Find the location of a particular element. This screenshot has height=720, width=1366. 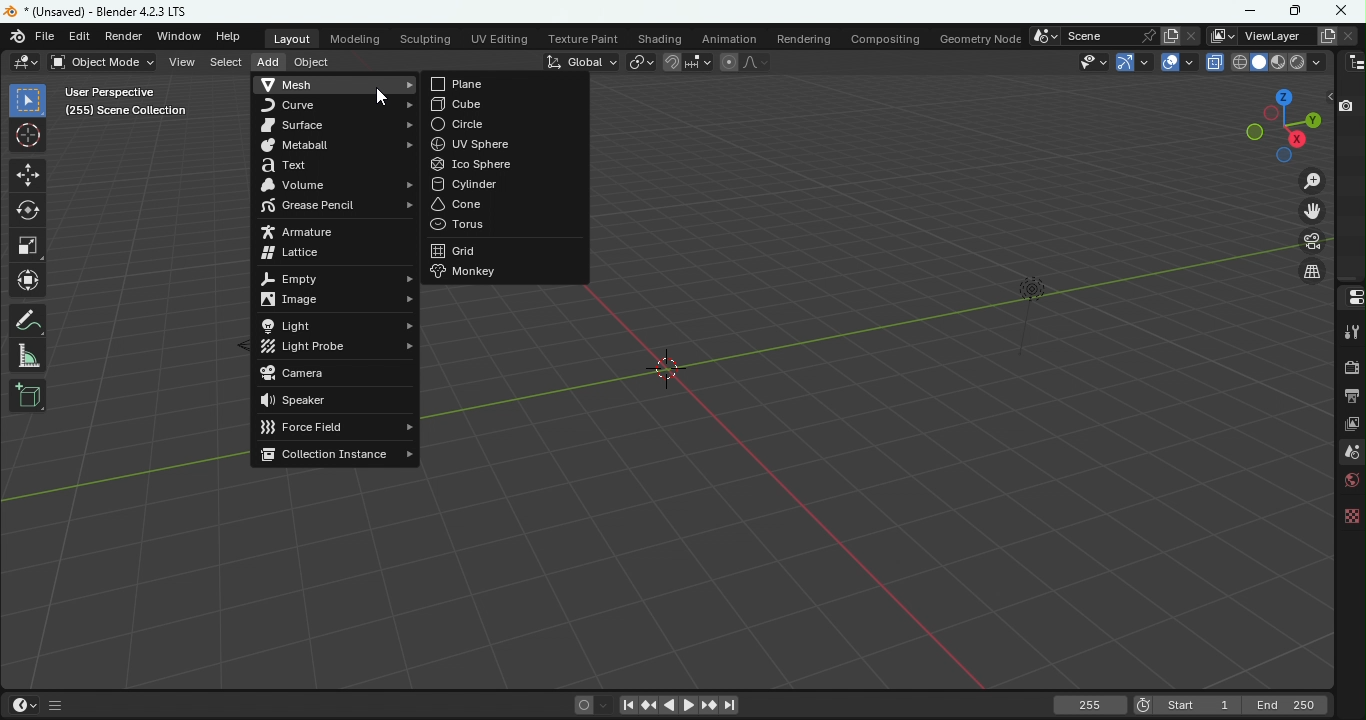

Viewport shading: Material preview is located at coordinates (1277, 62).